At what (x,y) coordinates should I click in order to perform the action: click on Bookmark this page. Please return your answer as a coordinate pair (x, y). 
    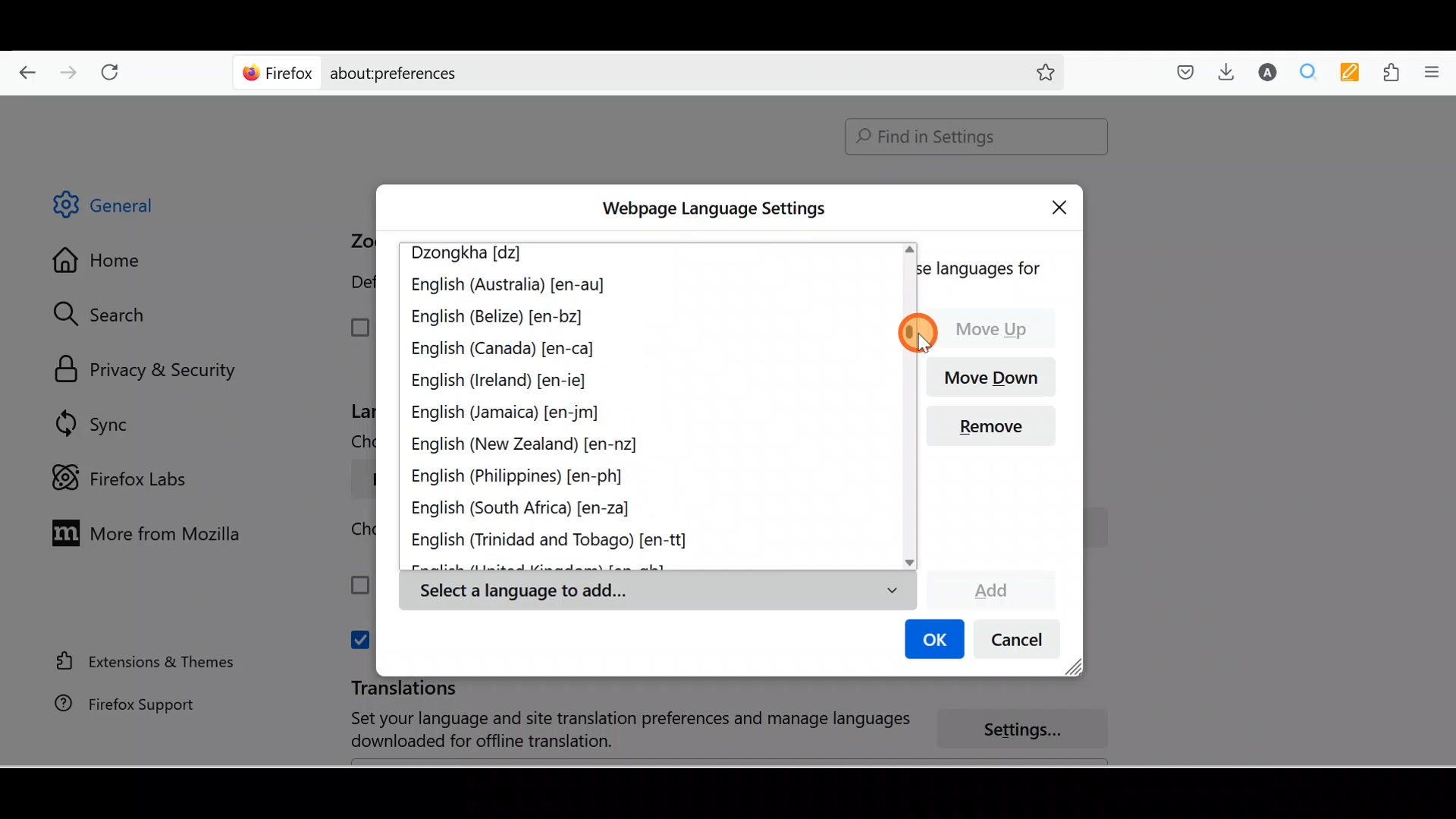
    Looking at the image, I should click on (1034, 71).